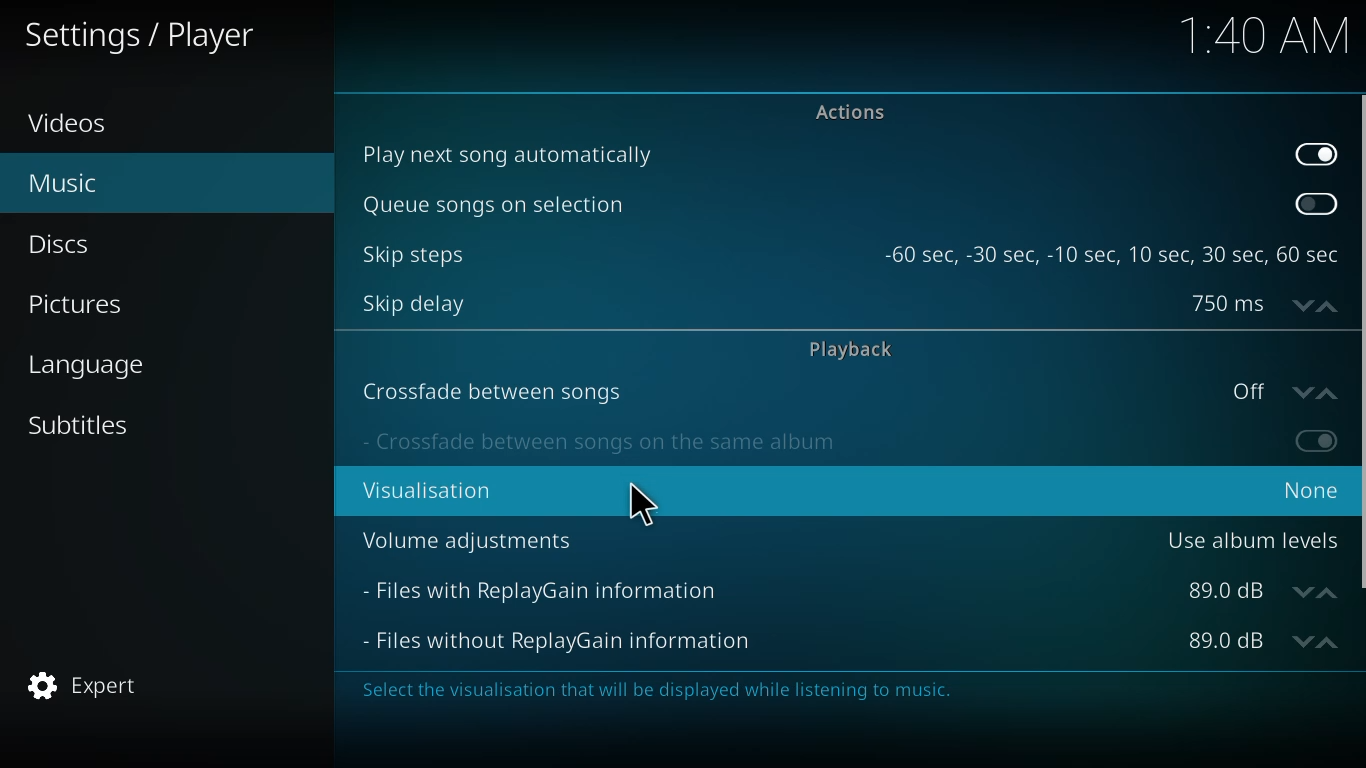 The image size is (1366, 768). Describe the element at coordinates (570, 640) in the screenshot. I see `files without replaygain` at that location.